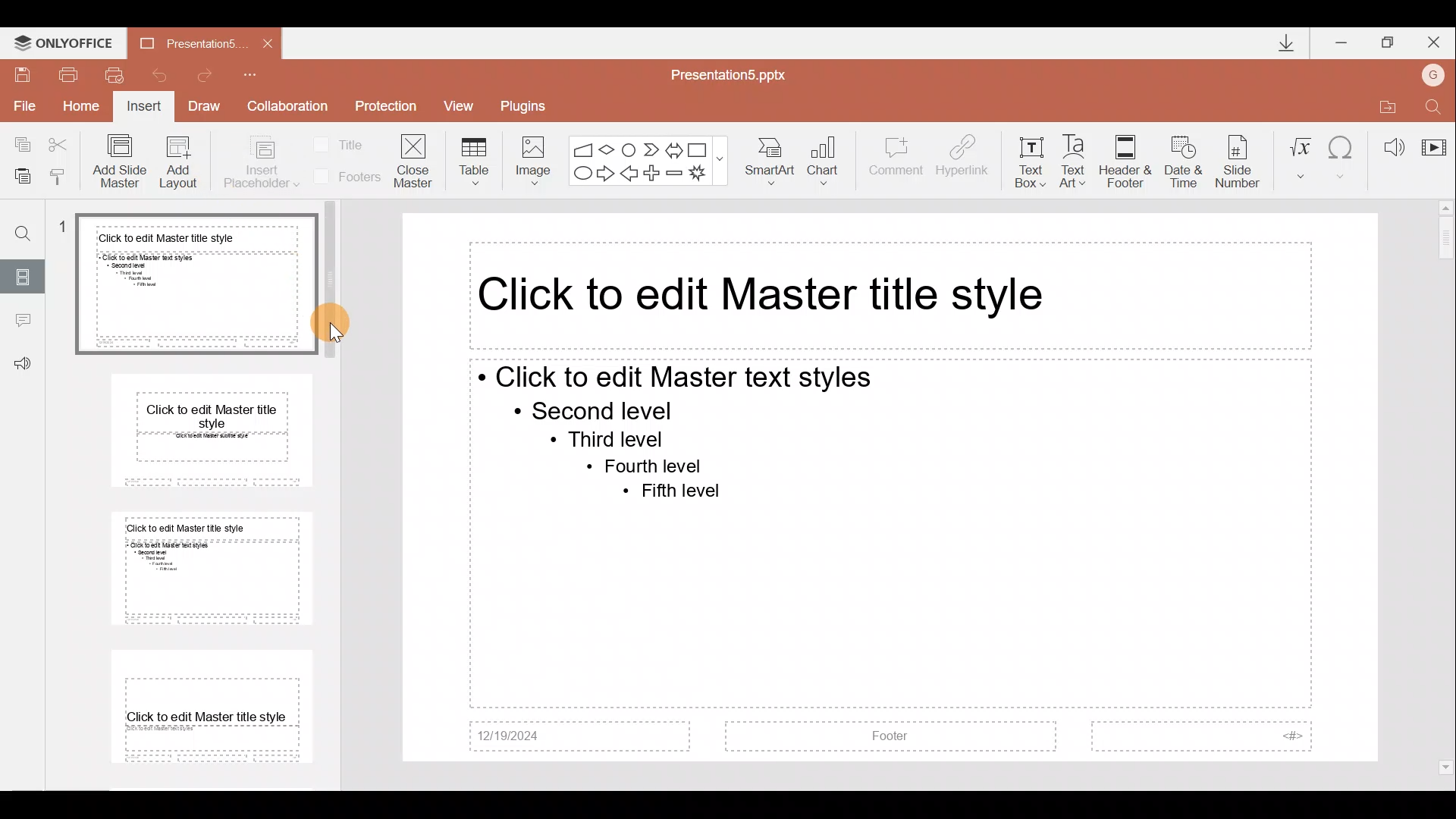 The width and height of the screenshot is (1456, 819). I want to click on Add layout, so click(179, 165).